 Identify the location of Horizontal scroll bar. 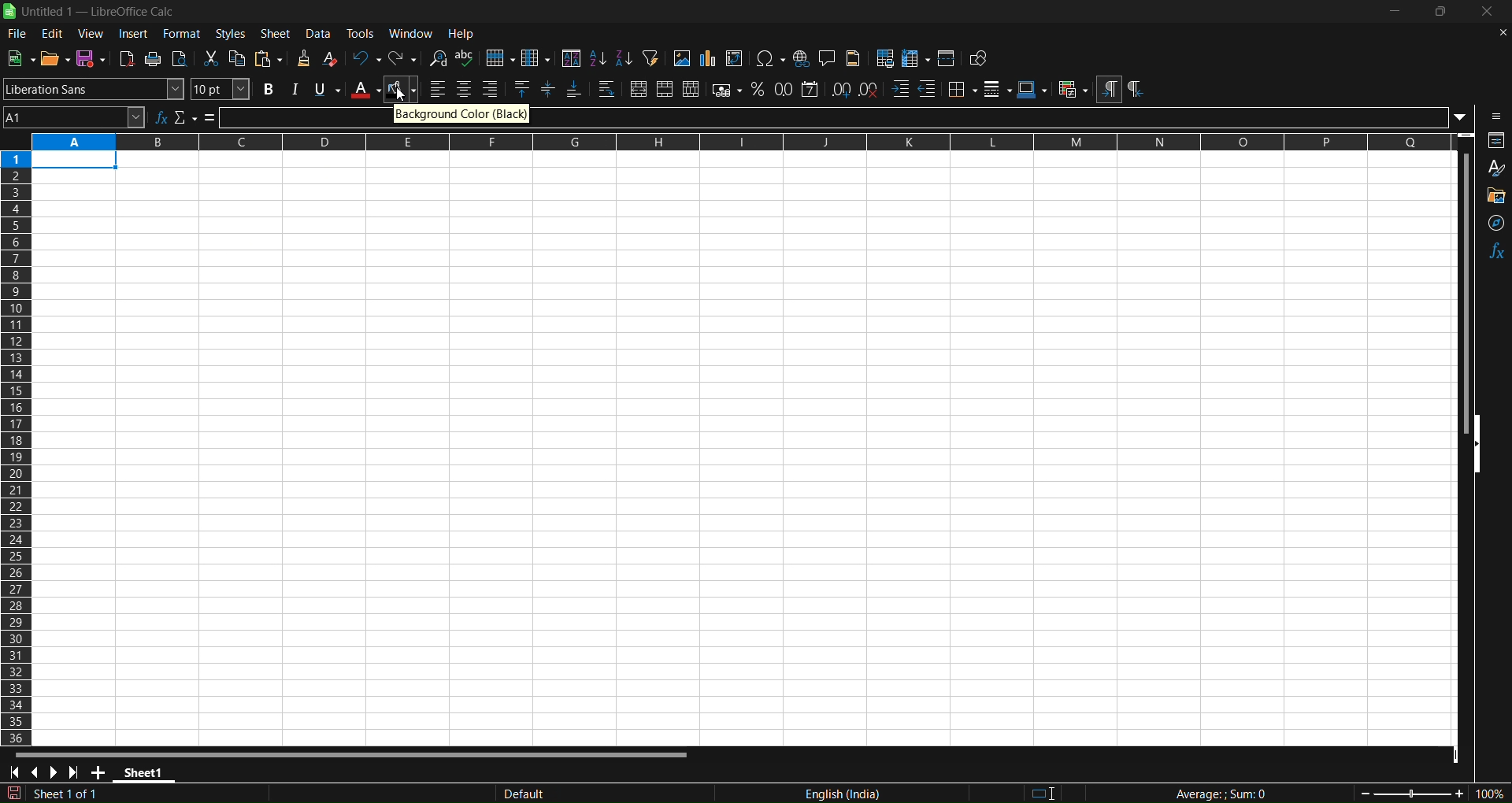
(351, 757).